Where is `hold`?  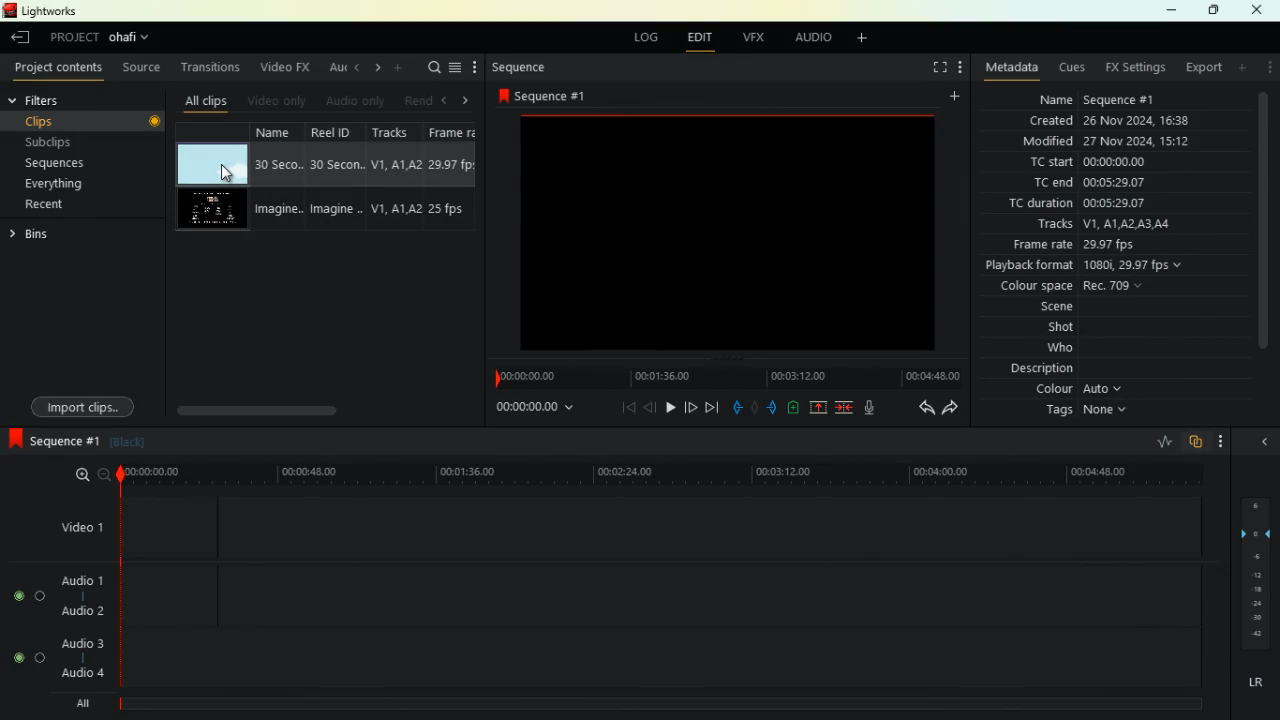 hold is located at coordinates (753, 408).